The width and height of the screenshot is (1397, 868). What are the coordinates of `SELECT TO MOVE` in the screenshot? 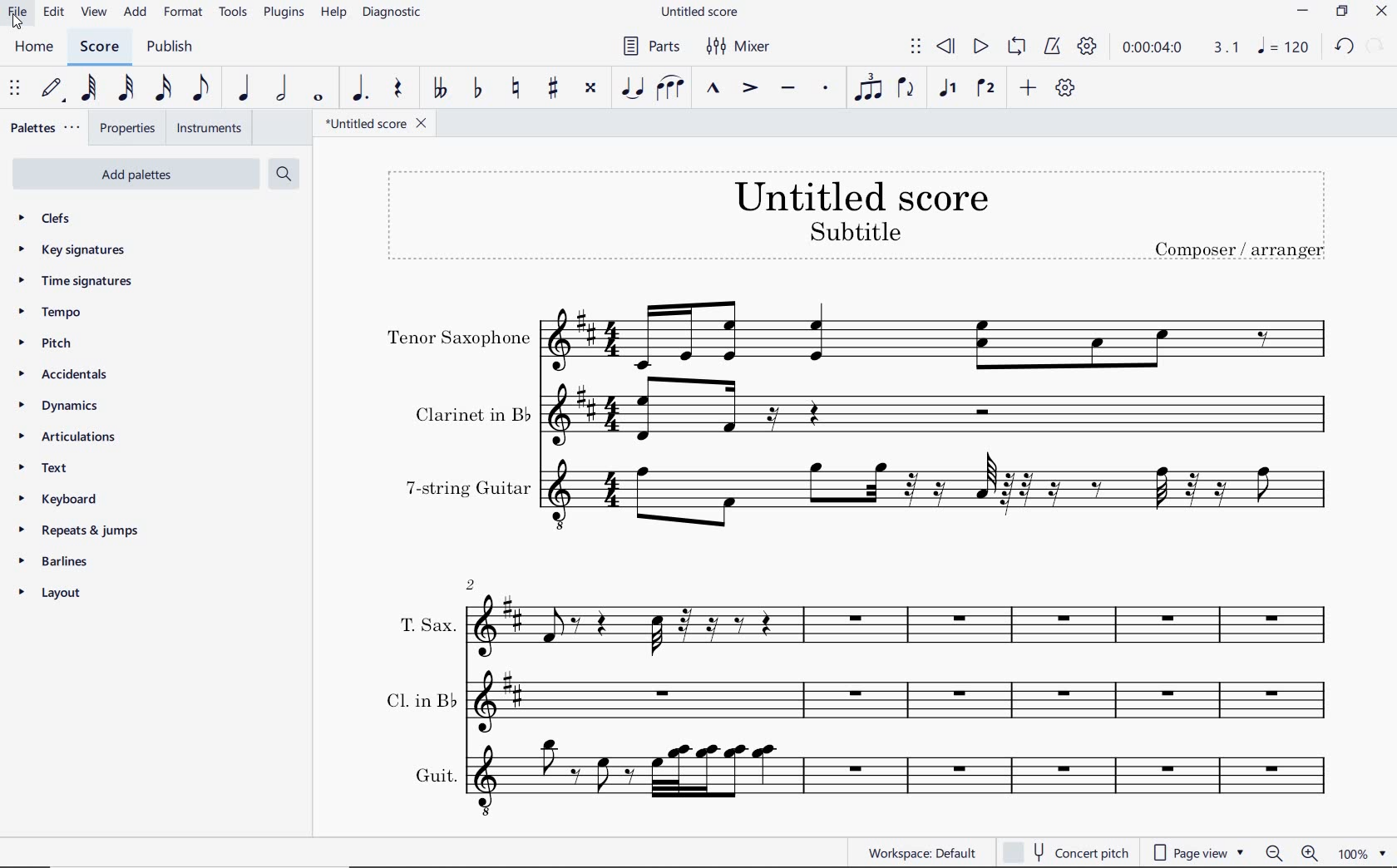 It's located at (16, 90).